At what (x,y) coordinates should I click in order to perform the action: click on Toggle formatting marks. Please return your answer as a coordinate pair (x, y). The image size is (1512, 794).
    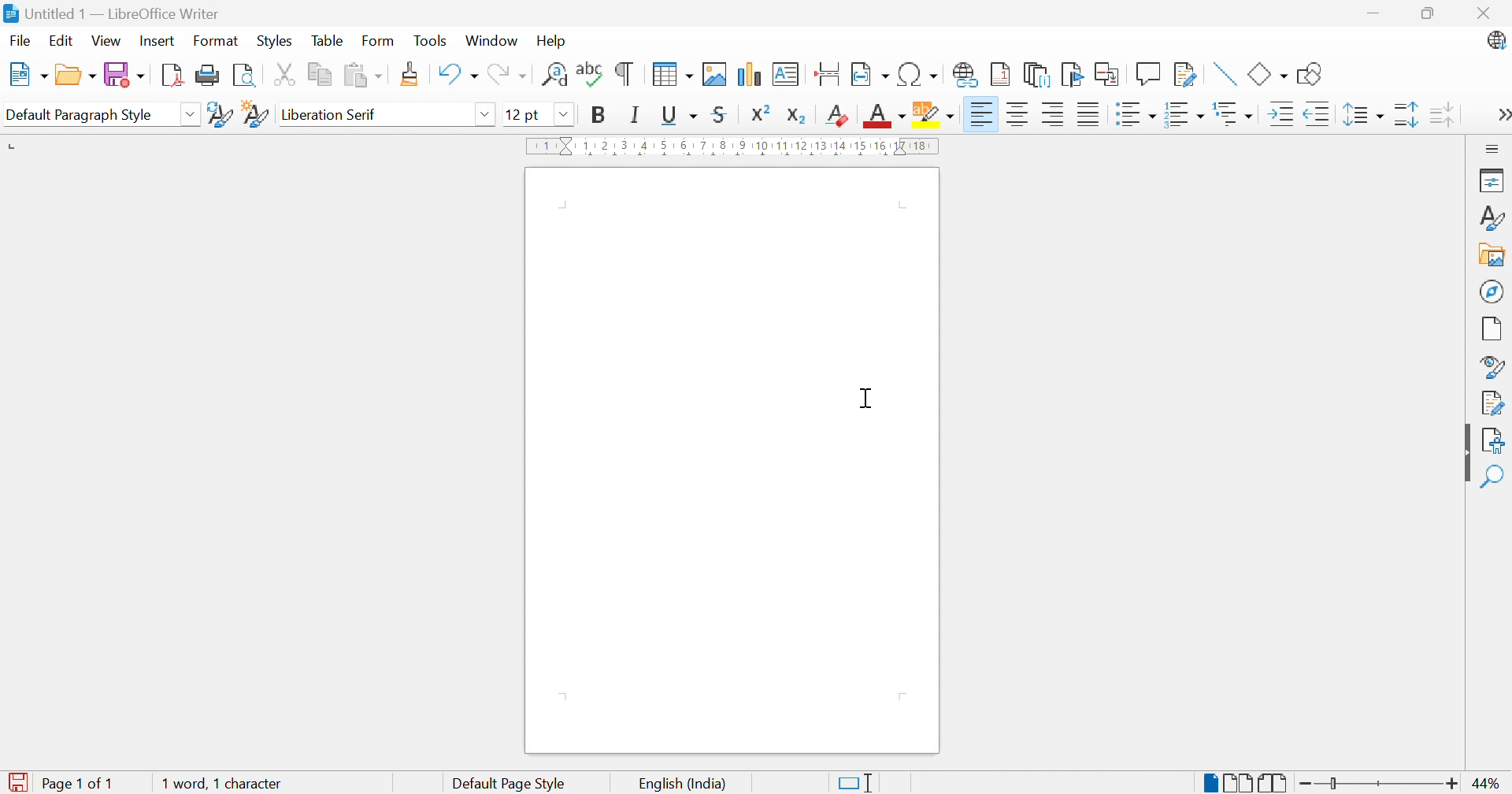
    Looking at the image, I should click on (626, 72).